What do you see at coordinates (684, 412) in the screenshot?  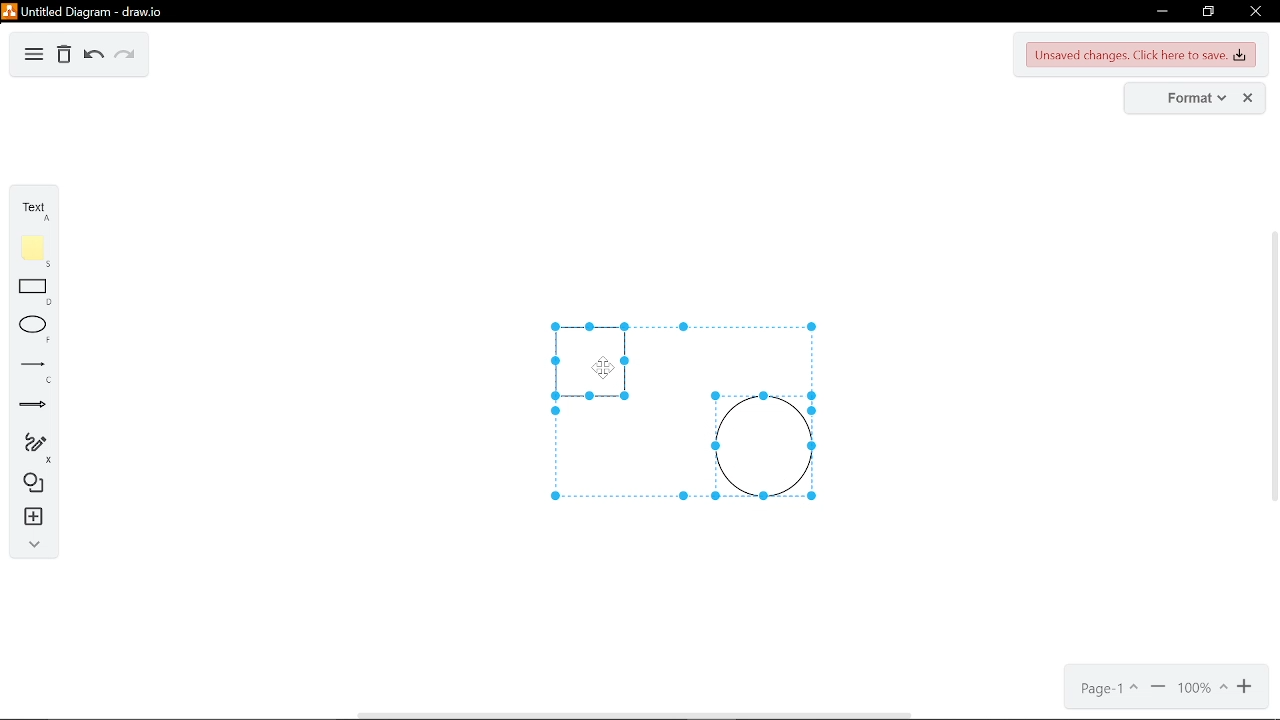 I see `grouped object selected` at bounding box center [684, 412].